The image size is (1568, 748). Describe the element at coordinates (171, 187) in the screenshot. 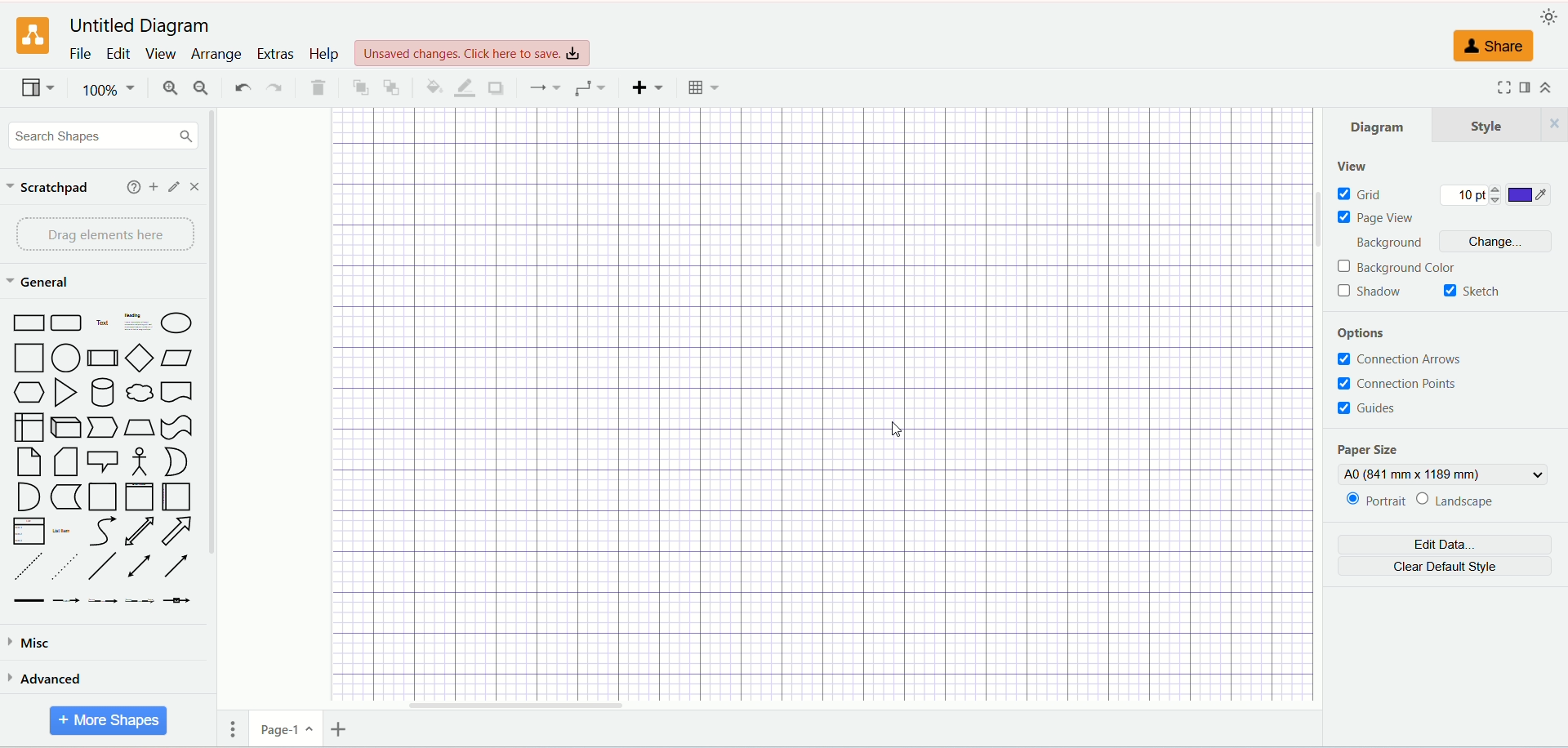

I see `edit` at that location.